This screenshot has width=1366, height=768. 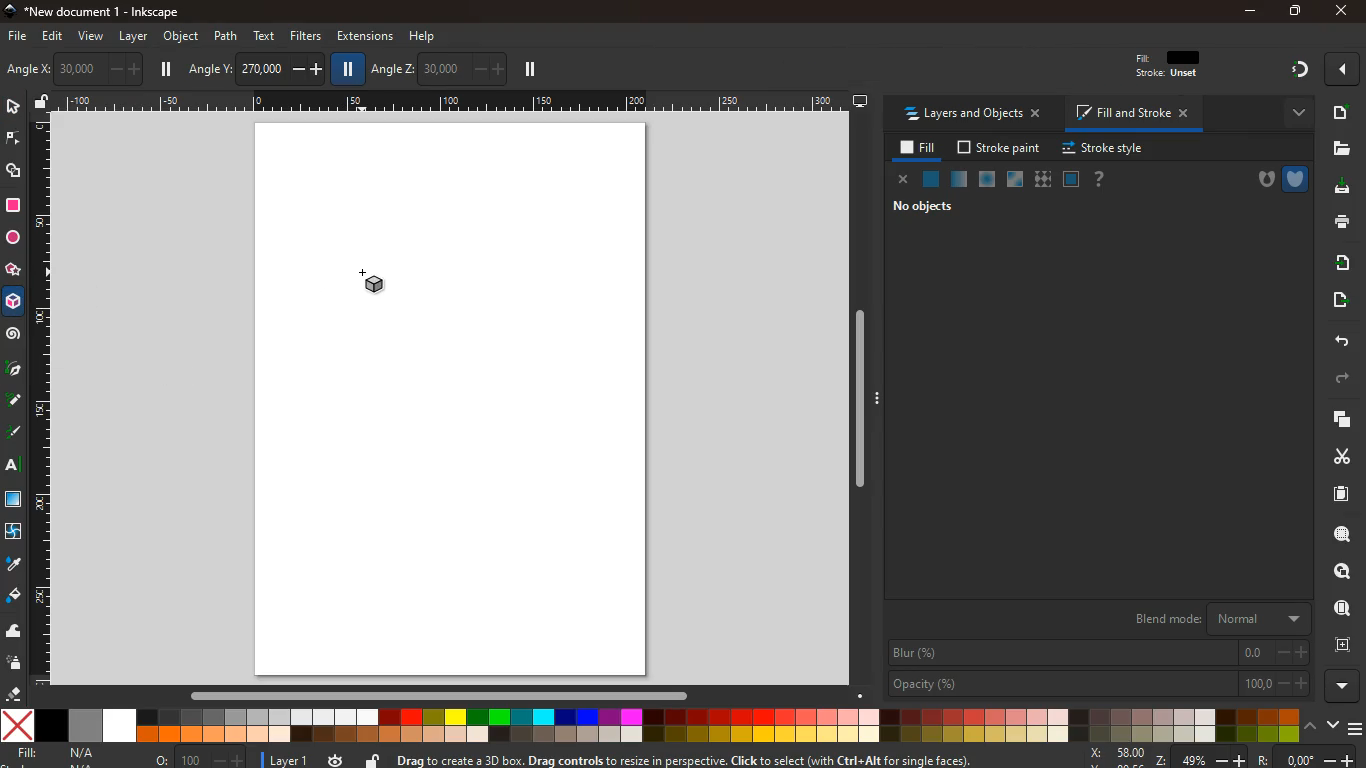 I want to click on Scrollbar, so click(x=859, y=395).